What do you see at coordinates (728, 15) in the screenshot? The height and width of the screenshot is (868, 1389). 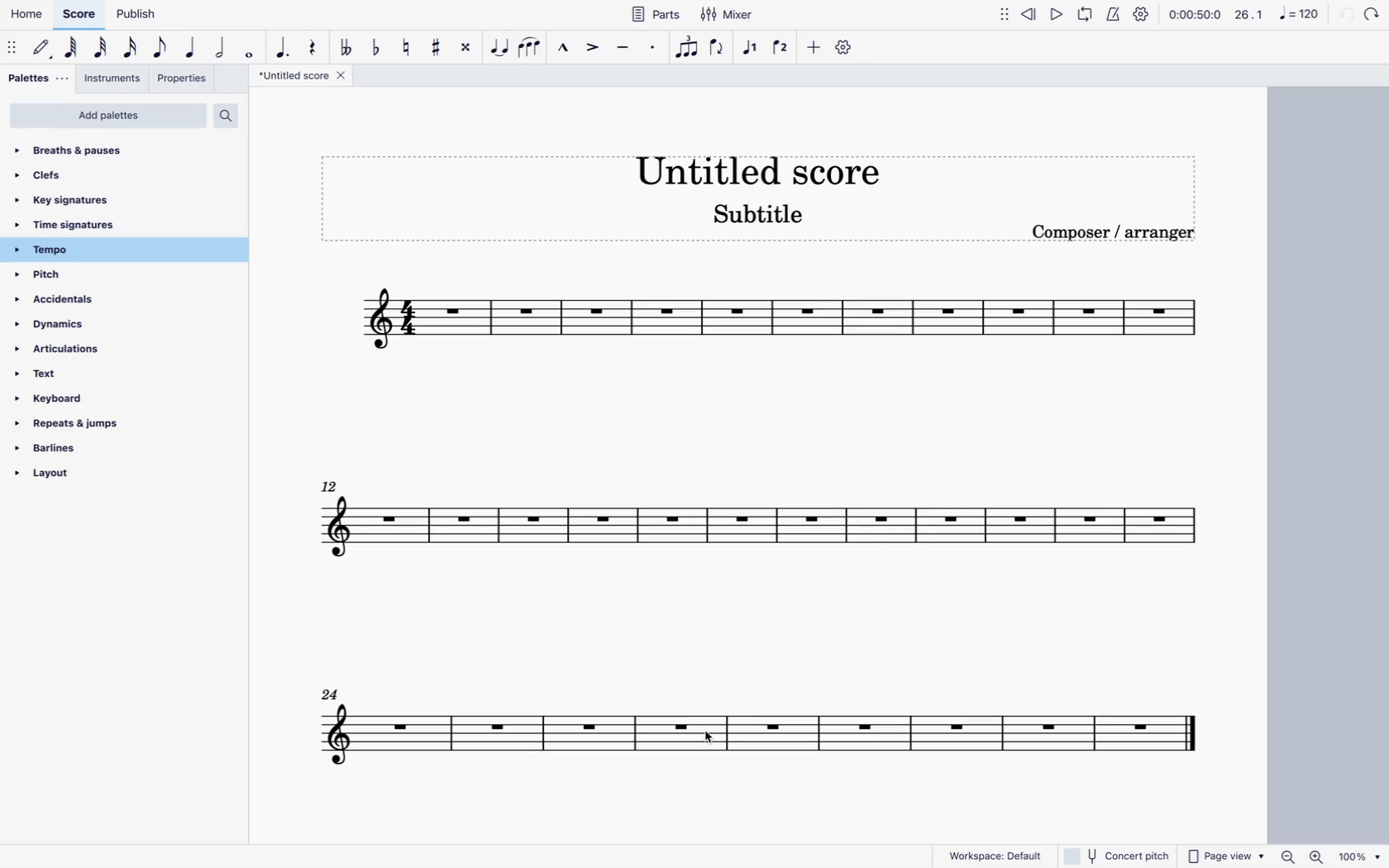 I see `mixer` at bounding box center [728, 15].